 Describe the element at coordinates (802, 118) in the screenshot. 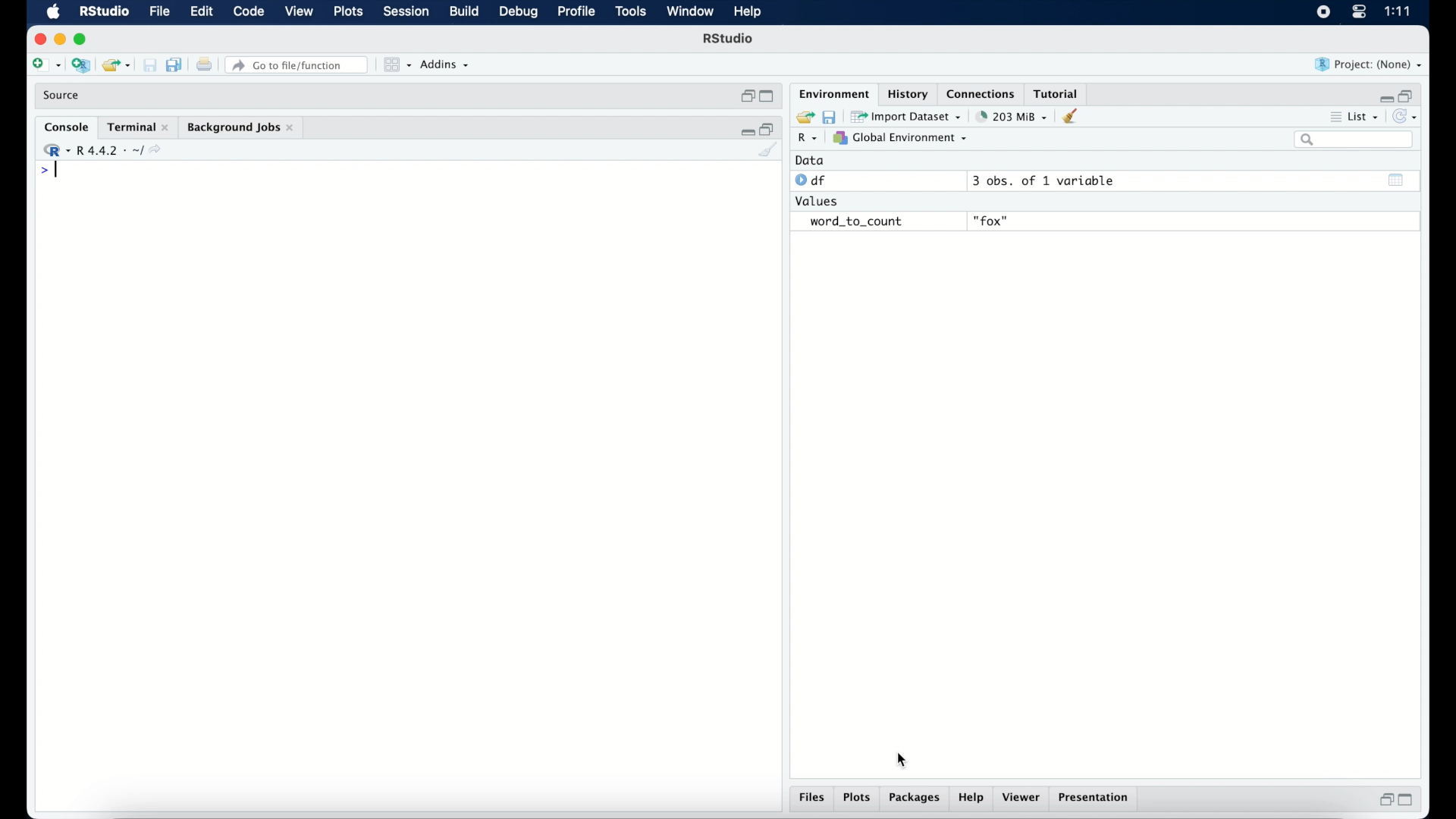

I see `load workspace` at that location.